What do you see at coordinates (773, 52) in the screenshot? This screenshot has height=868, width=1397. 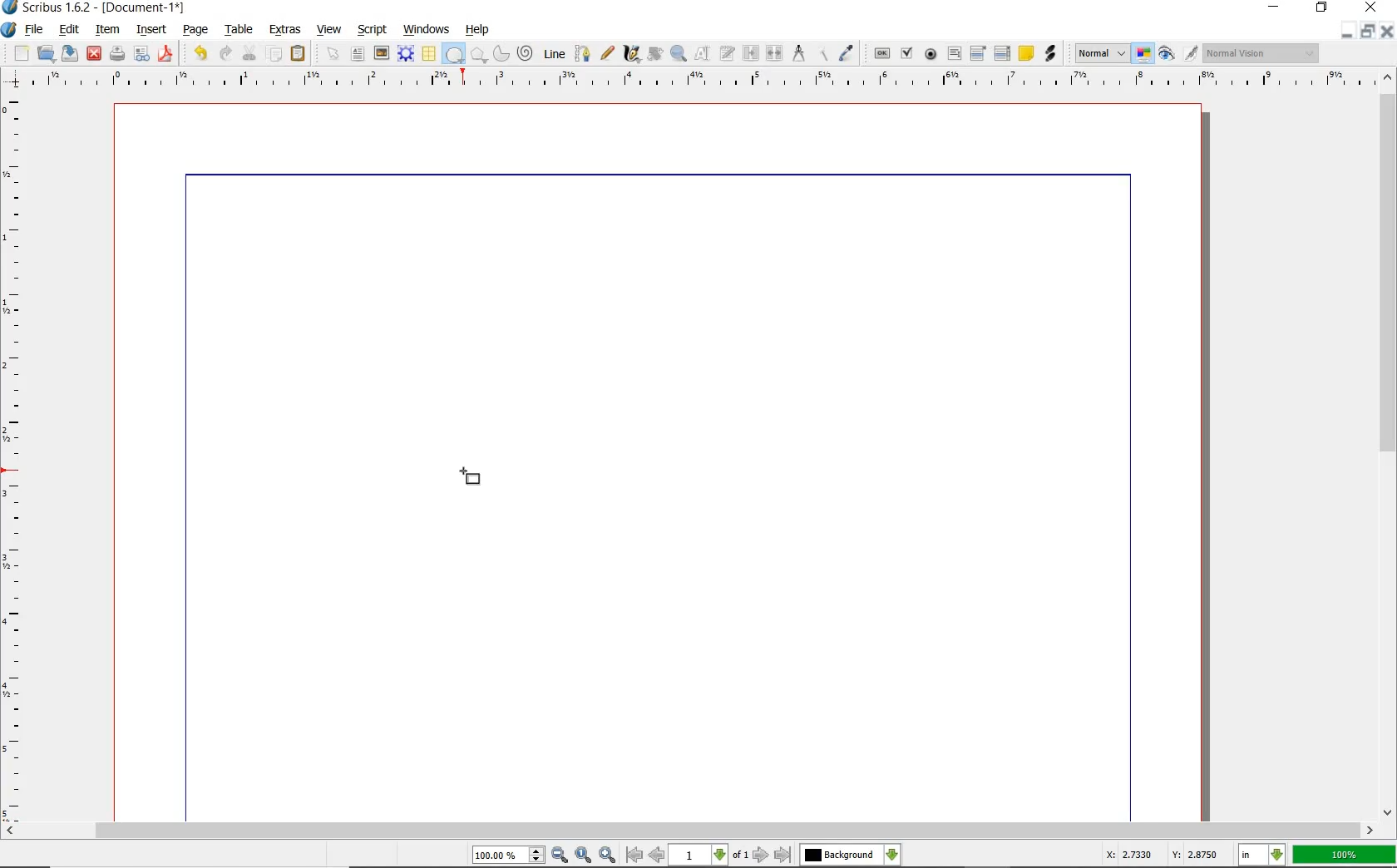 I see `UNLINK TEXT FRAME` at bounding box center [773, 52].